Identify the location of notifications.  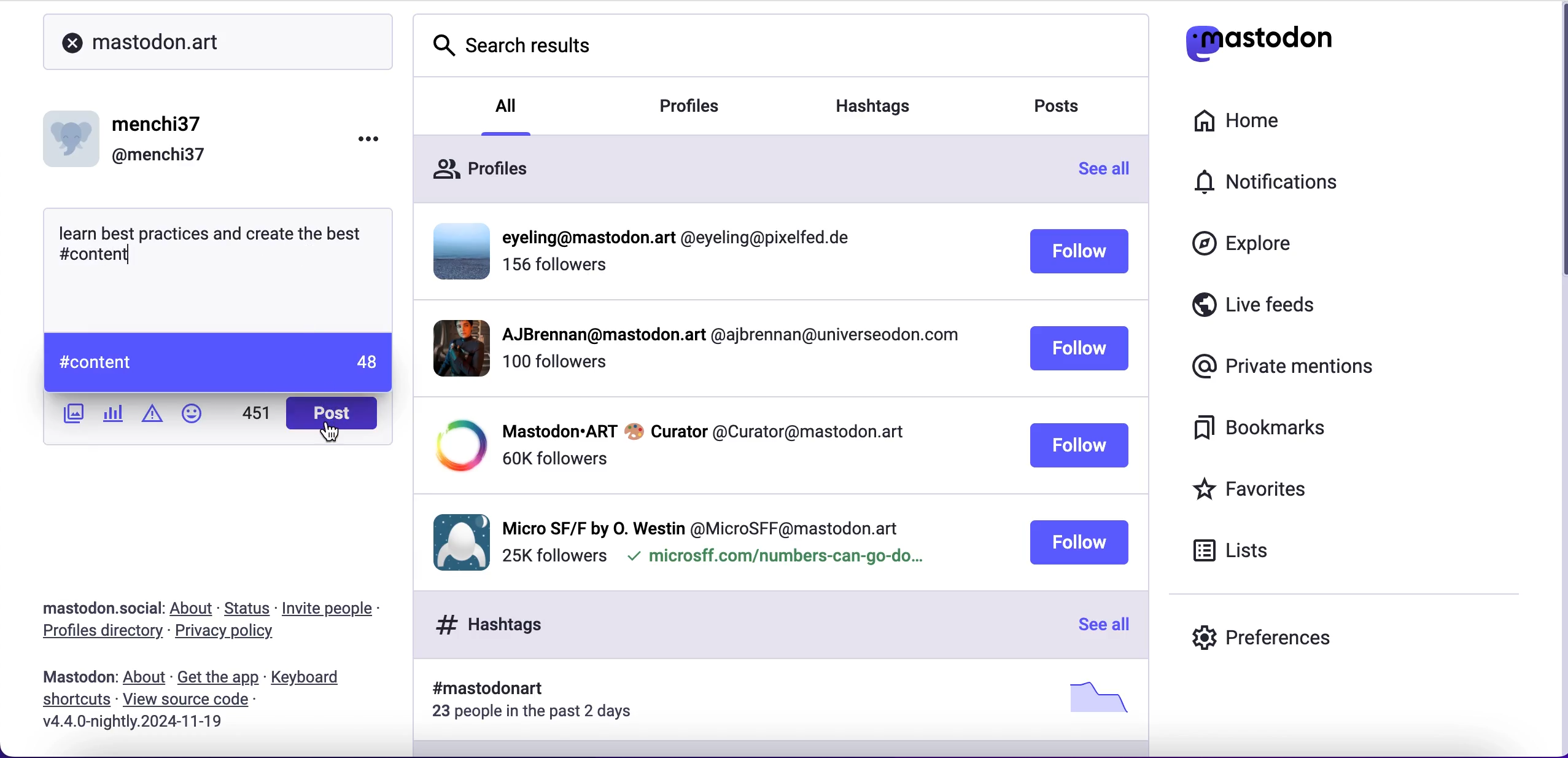
(1262, 181).